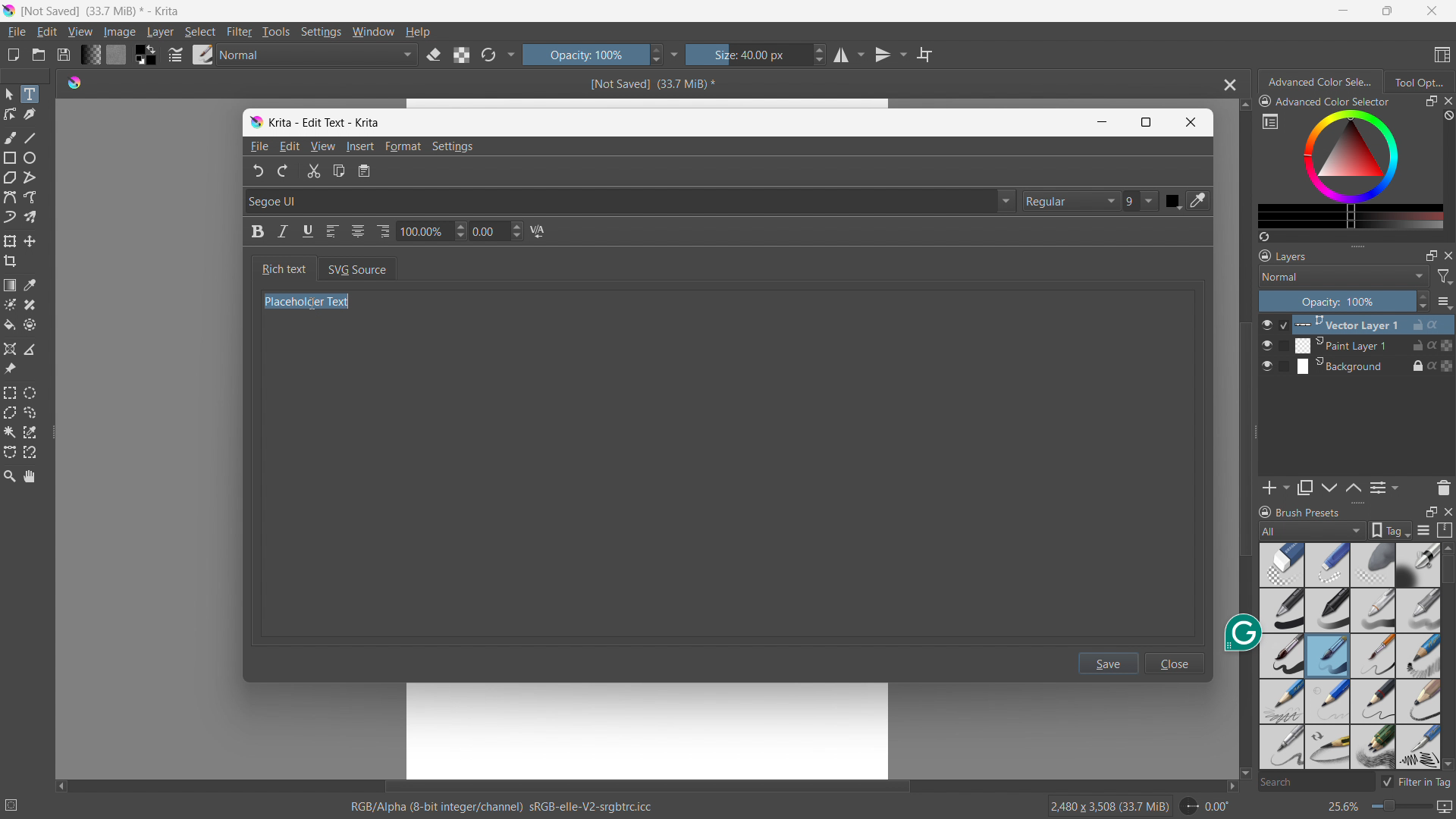 The image size is (1456, 819). Describe the element at coordinates (1357, 244) in the screenshot. I see `resize` at that location.